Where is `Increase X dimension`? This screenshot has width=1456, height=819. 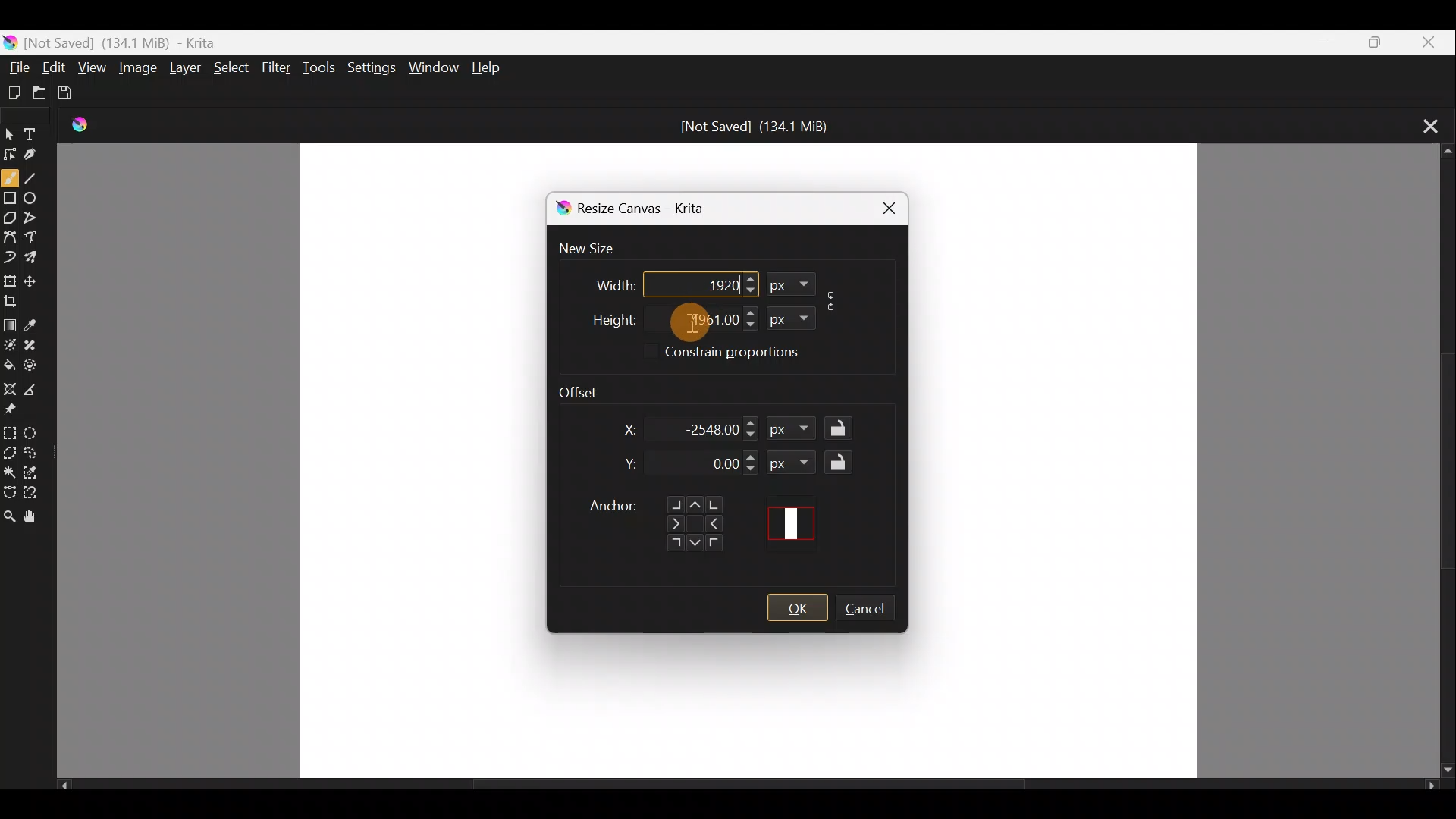 Increase X dimension is located at coordinates (752, 420).